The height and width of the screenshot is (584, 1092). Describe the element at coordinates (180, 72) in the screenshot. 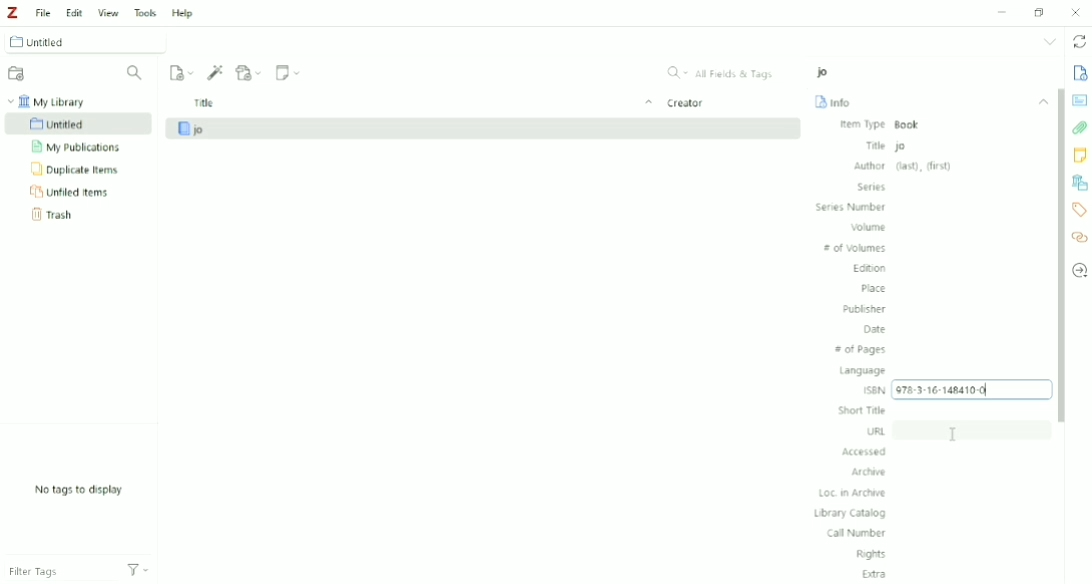

I see `New Item` at that location.